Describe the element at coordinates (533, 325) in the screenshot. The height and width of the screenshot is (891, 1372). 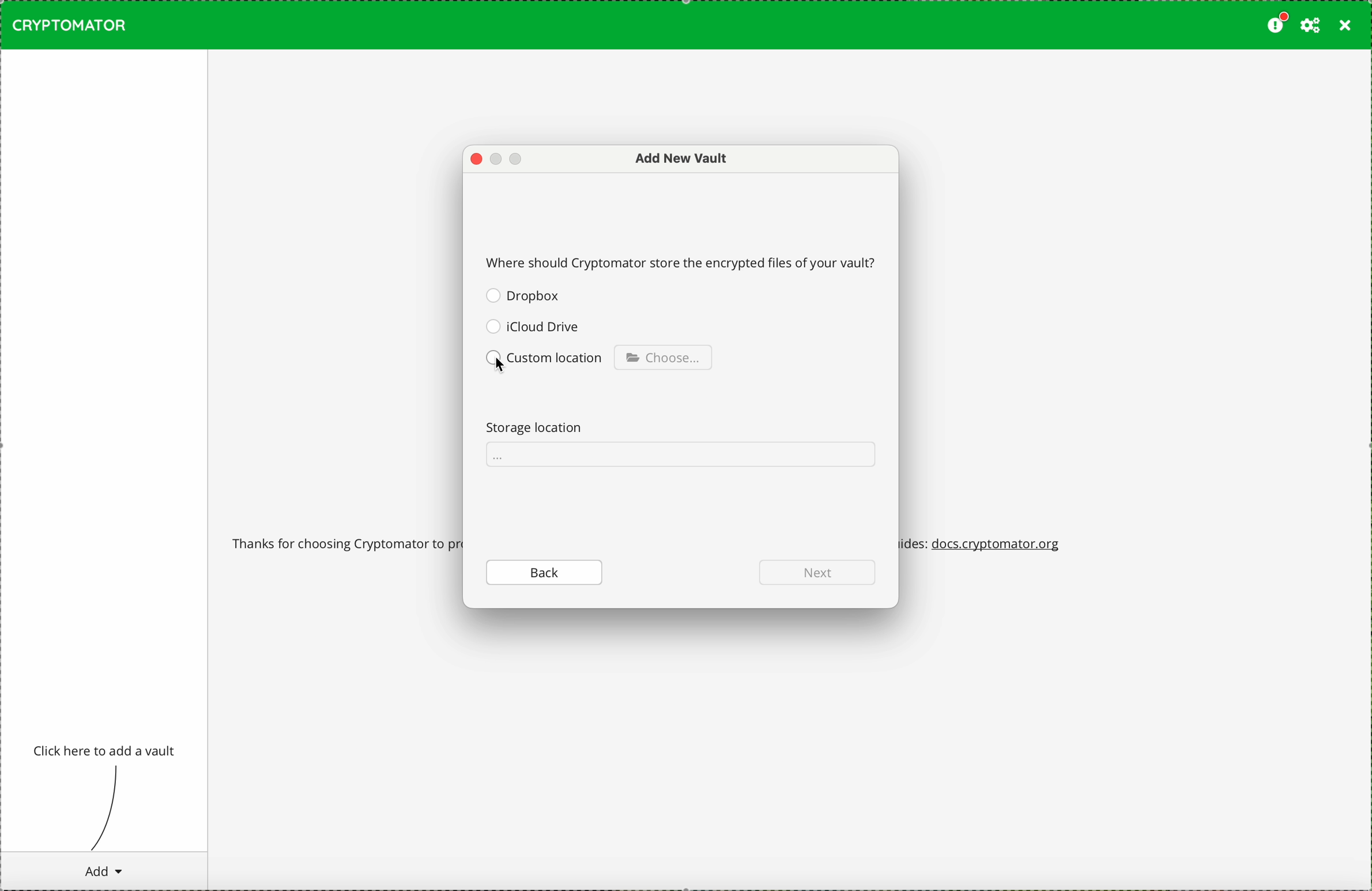
I see `iCloud Drive` at that location.